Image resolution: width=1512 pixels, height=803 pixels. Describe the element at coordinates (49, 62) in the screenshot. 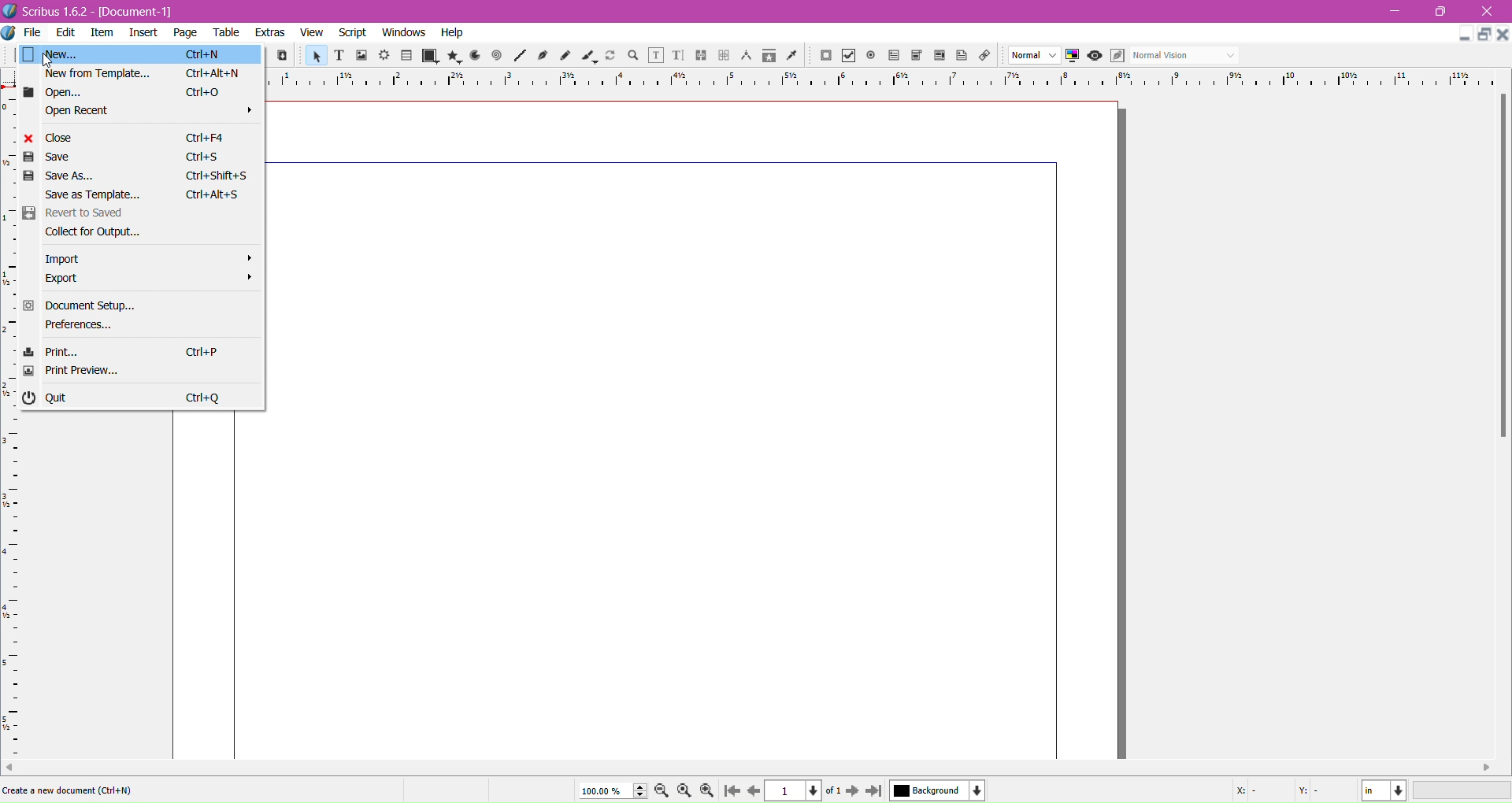

I see `cursor` at that location.